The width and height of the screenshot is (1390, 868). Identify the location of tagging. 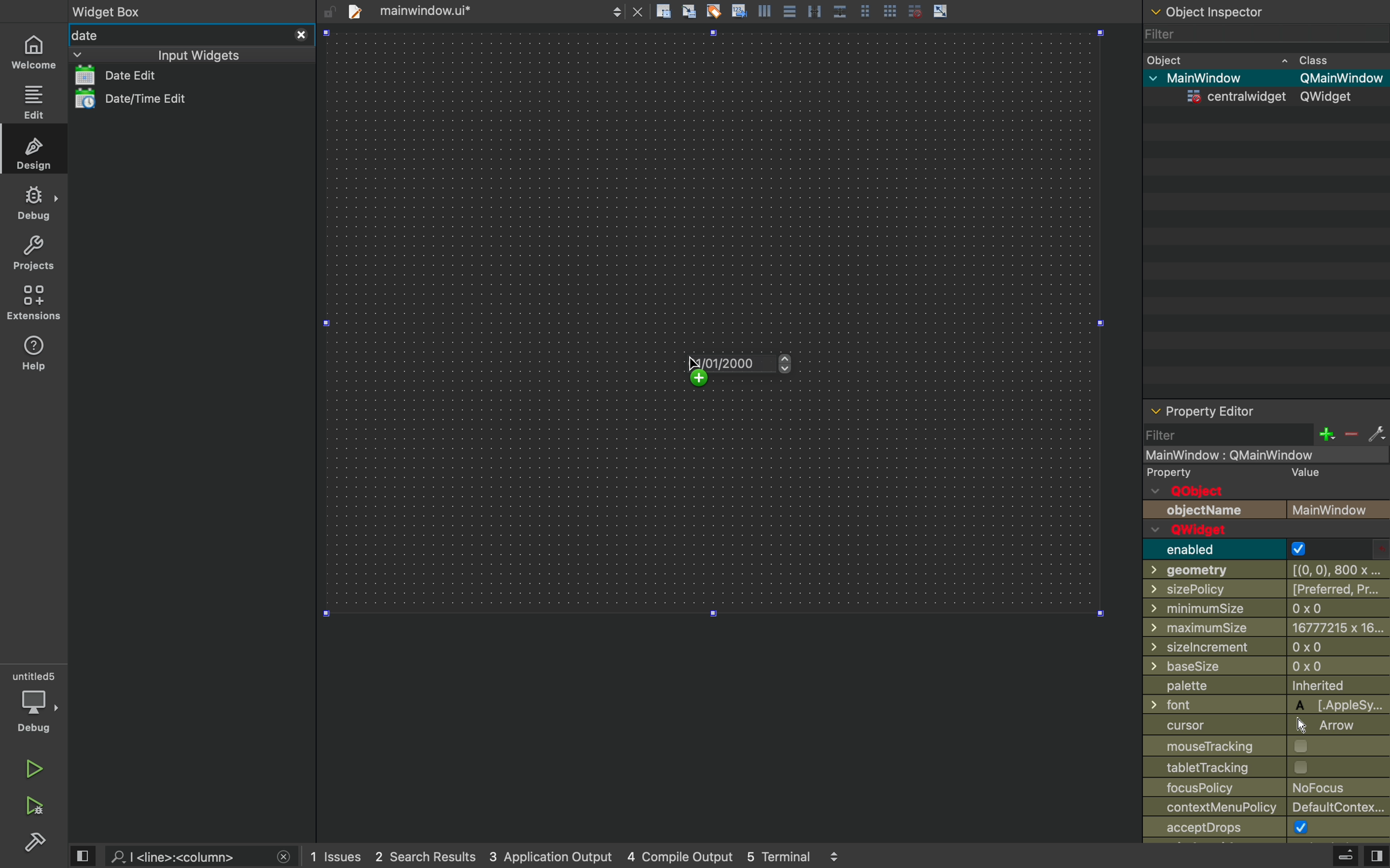
(713, 10).